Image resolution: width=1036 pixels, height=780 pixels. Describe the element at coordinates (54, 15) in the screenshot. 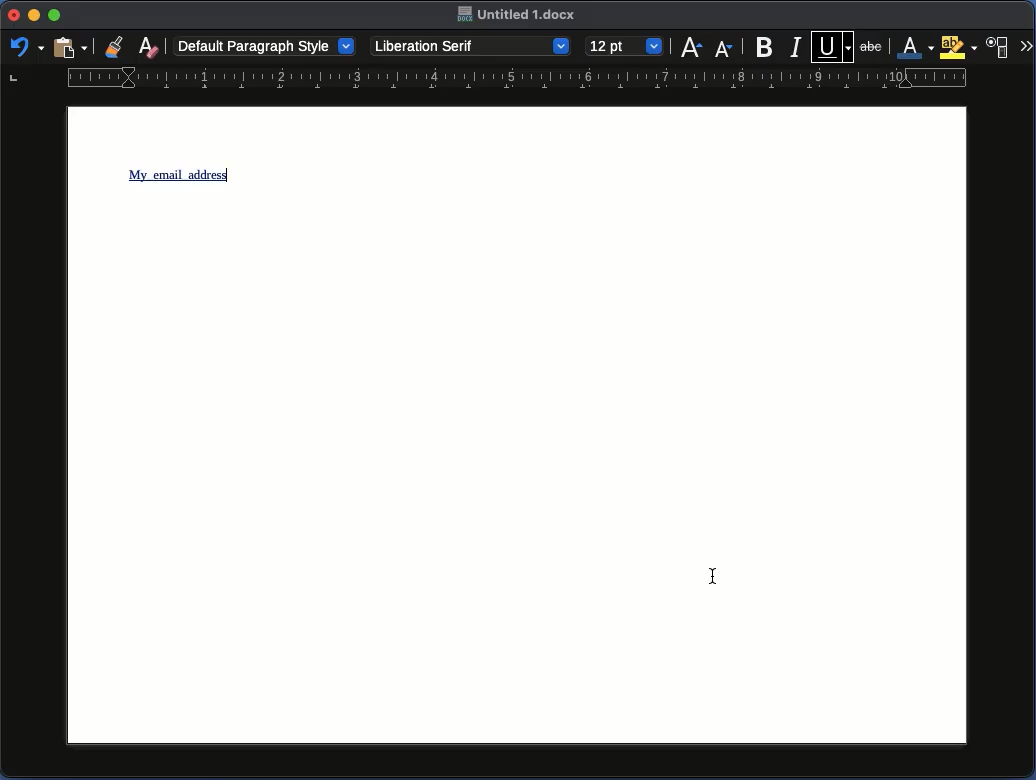

I see `Maximize` at that location.